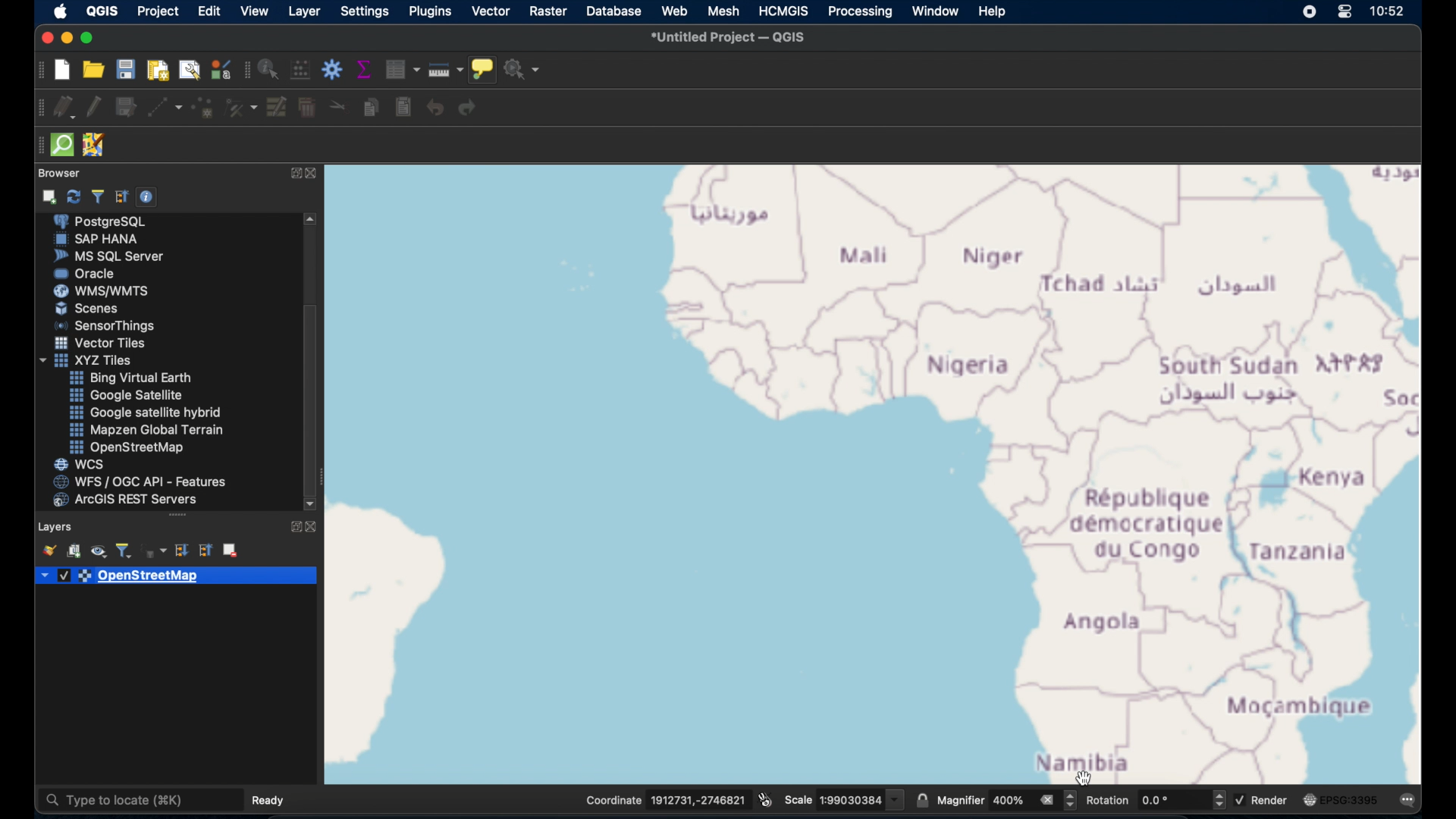  What do you see at coordinates (103, 292) in the screenshot?
I see `was/wmts` at bounding box center [103, 292].